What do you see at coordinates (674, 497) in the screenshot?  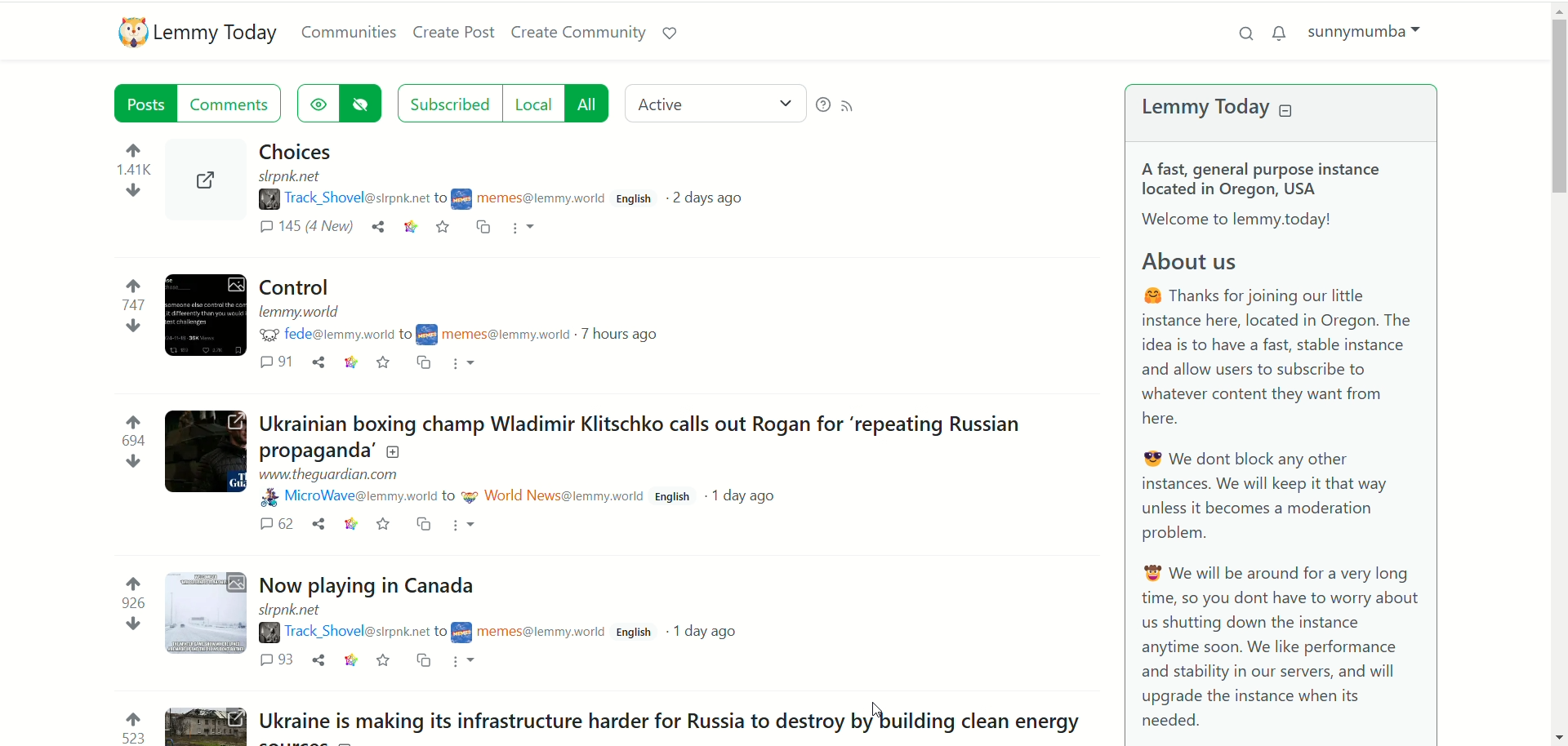 I see `english` at bounding box center [674, 497].